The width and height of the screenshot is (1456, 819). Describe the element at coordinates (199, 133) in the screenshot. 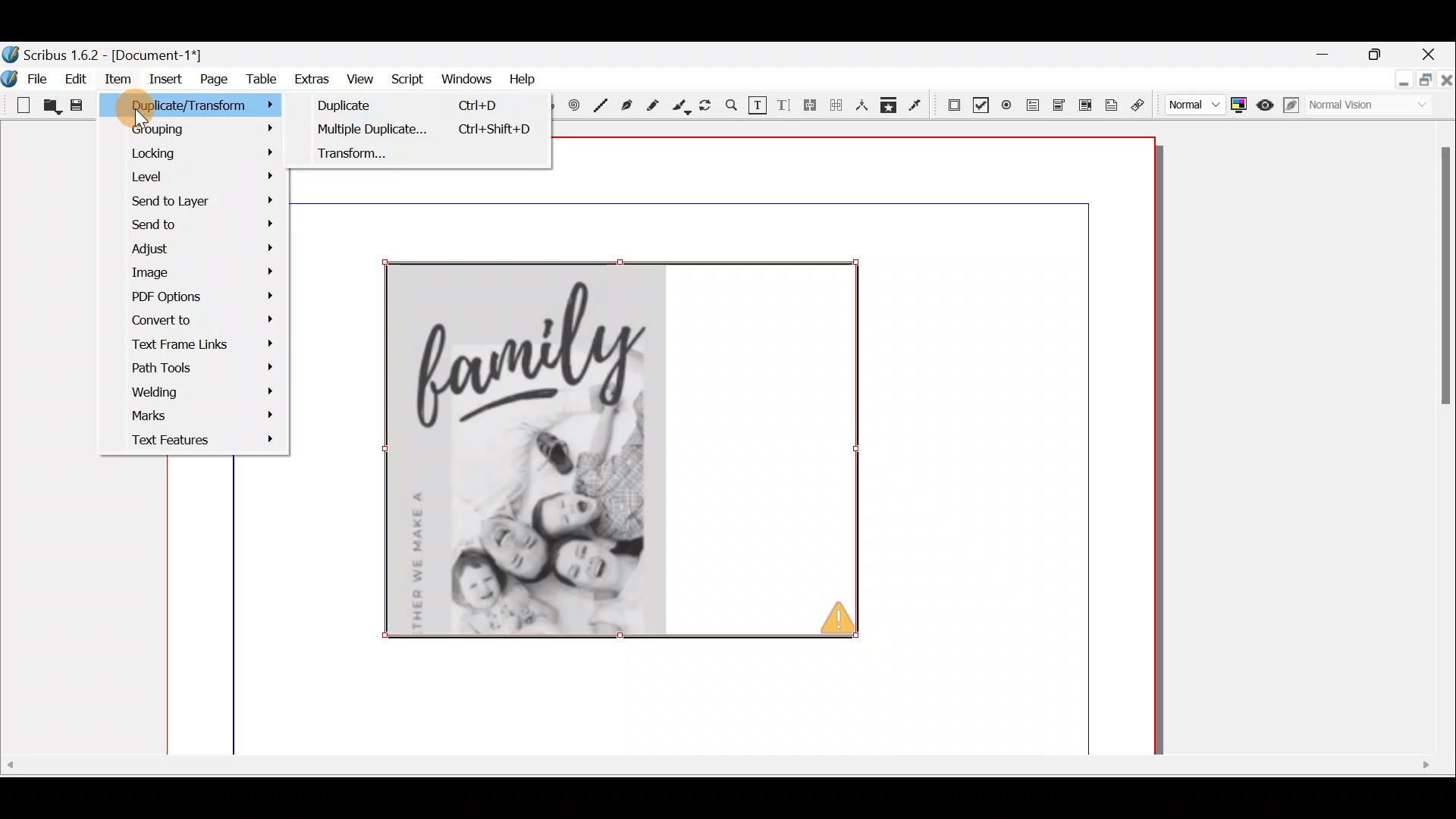

I see `Grouping` at that location.